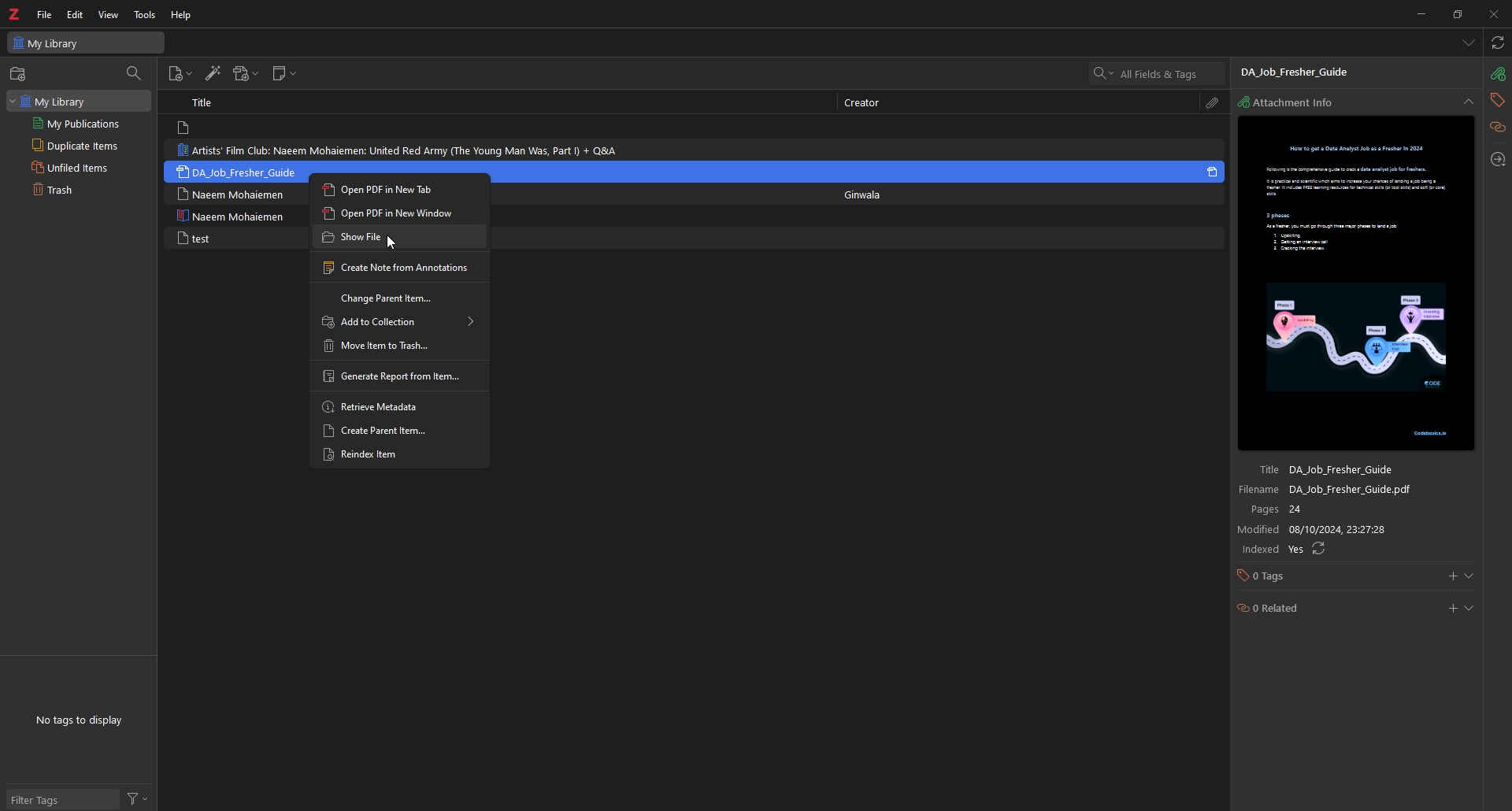 This screenshot has height=811, width=1512. What do you see at coordinates (229, 239) in the screenshot?
I see `note` at bounding box center [229, 239].